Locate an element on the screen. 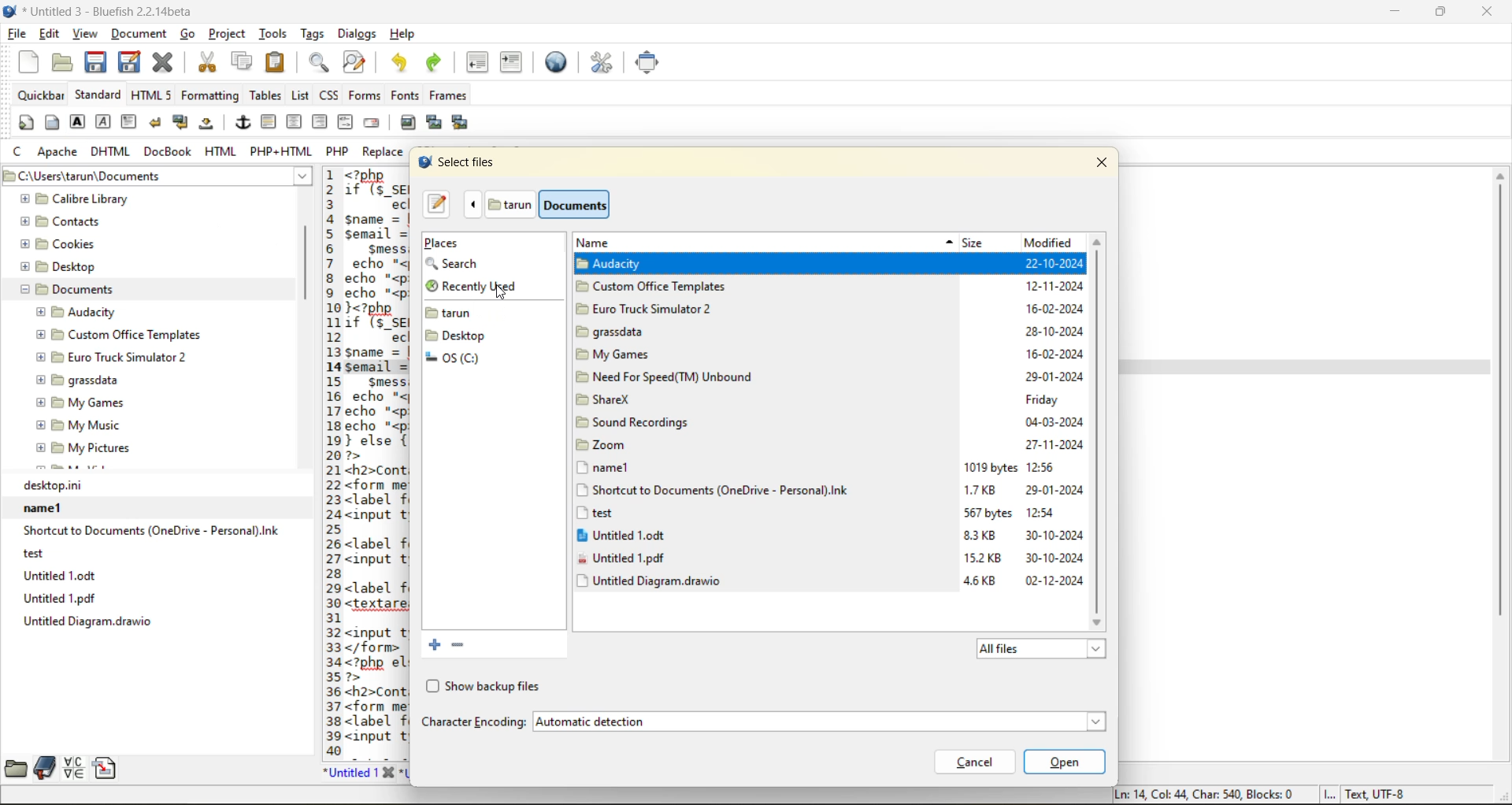 This screenshot has height=805, width=1512. open is located at coordinates (57, 62).